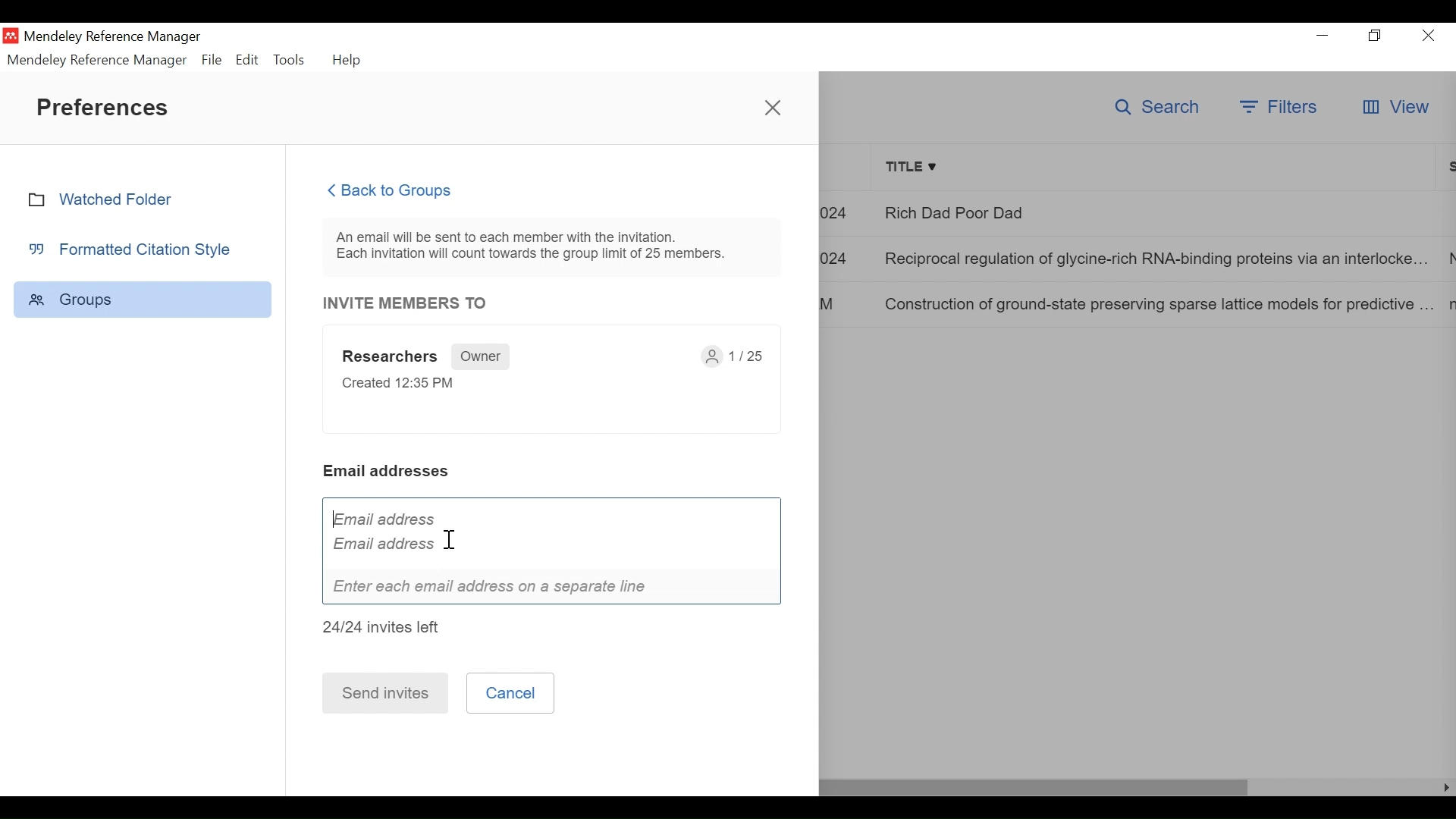 This screenshot has height=819, width=1456. I want to click on Group, so click(143, 299).